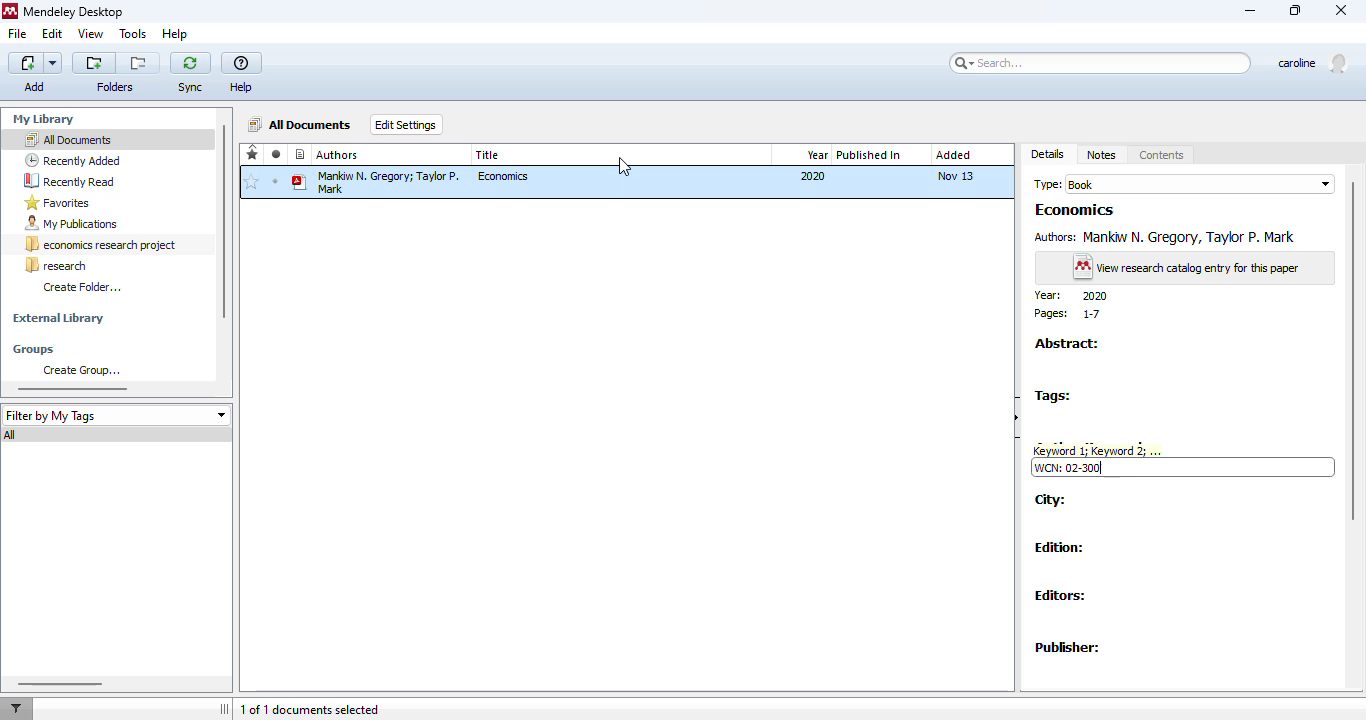 Image resolution: width=1366 pixels, height=720 pixels. Describe the element at coordinates (1075, 209) in the screenshot. I see `Economics` at that location.